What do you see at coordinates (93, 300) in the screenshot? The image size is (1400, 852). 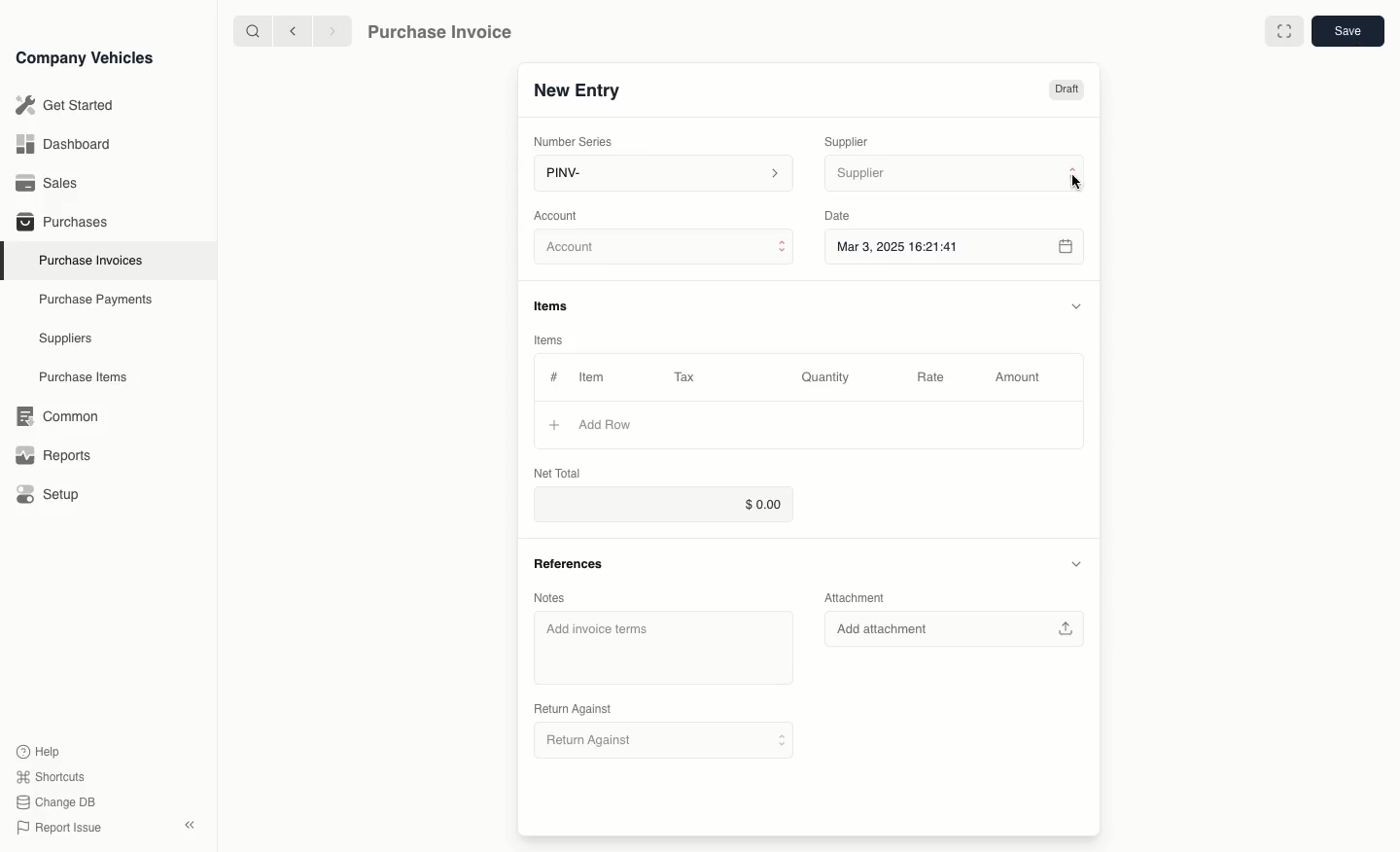 I see `Purchase Payments` at bounding box center [93, 300].